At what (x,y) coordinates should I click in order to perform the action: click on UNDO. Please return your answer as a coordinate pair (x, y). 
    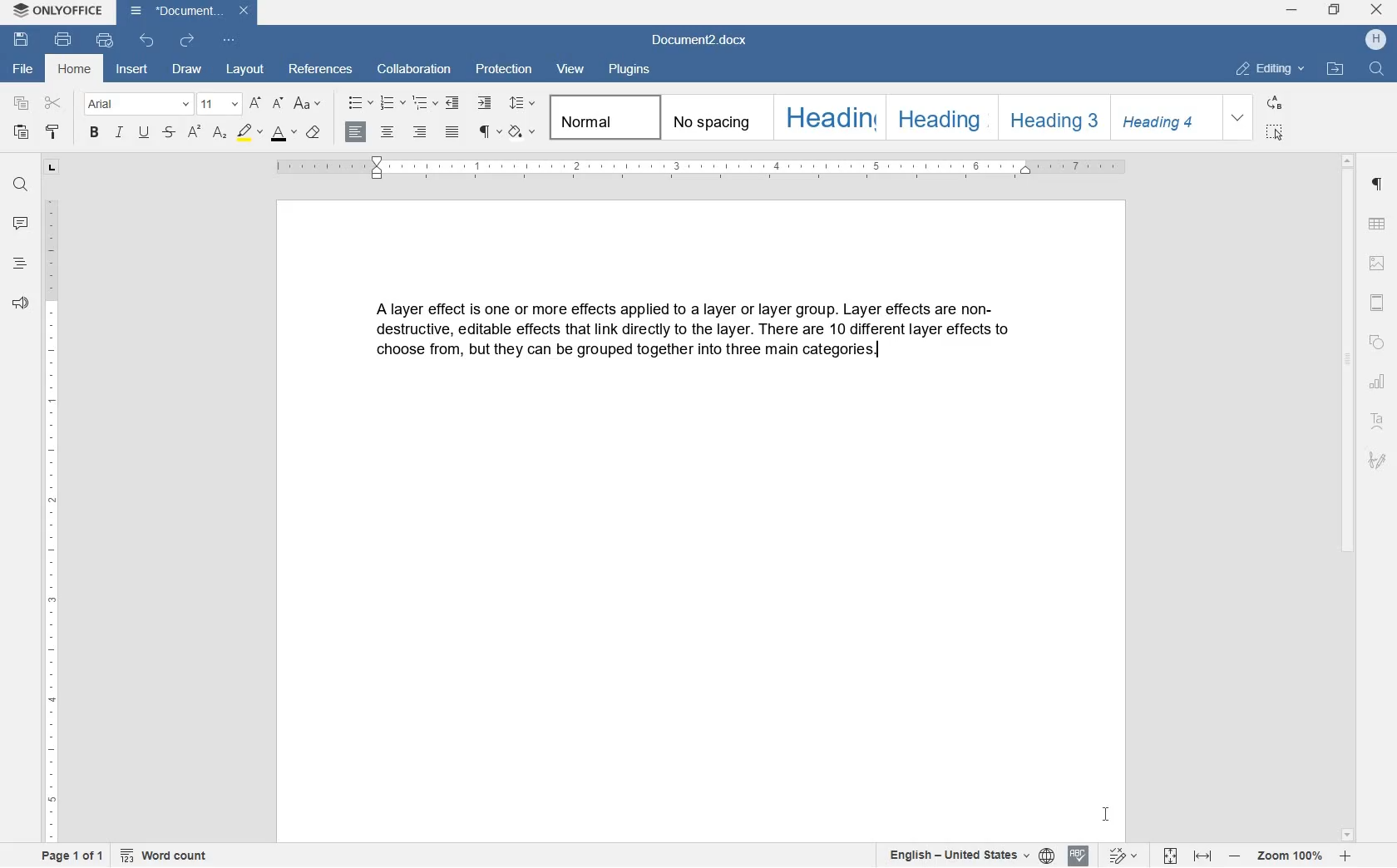
    Looking at the image, I should click on (148, 42).